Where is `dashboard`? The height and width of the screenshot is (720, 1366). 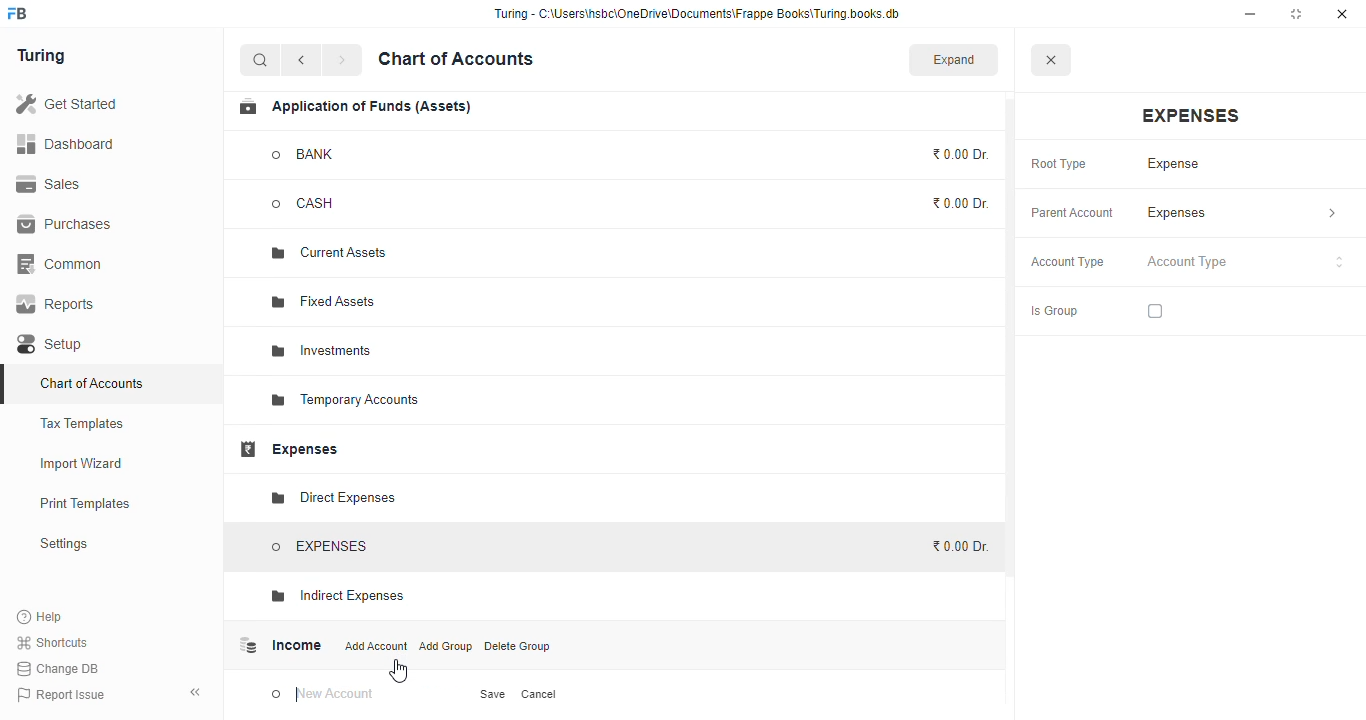 dashboard is located at coordinates (65, 143).